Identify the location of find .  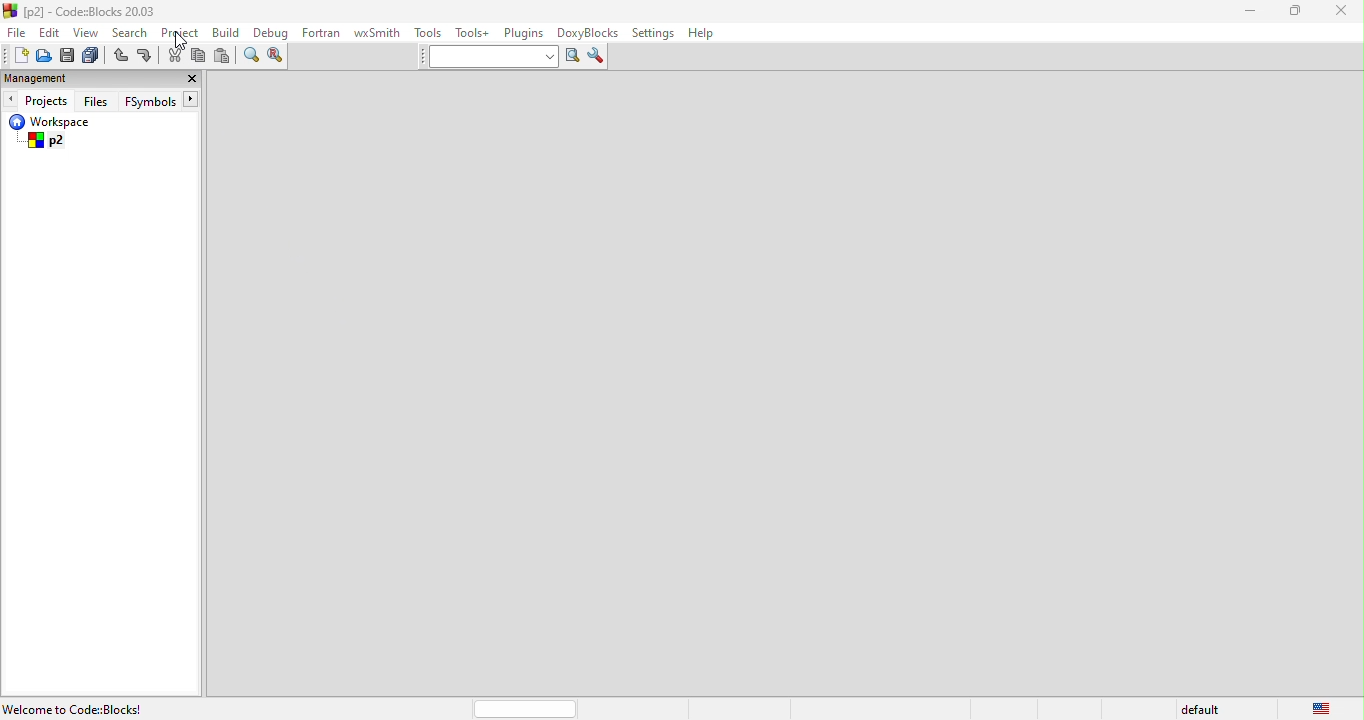
(249, 57).